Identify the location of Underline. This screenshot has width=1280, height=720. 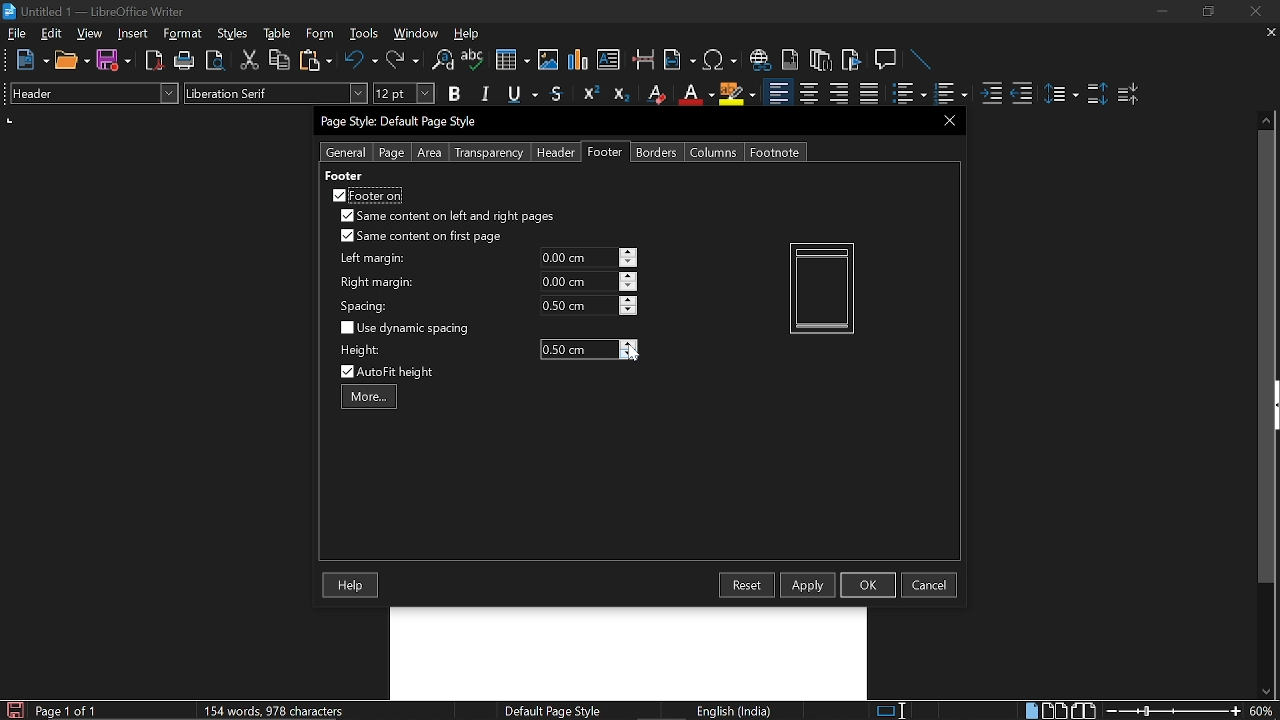
(524, 95).